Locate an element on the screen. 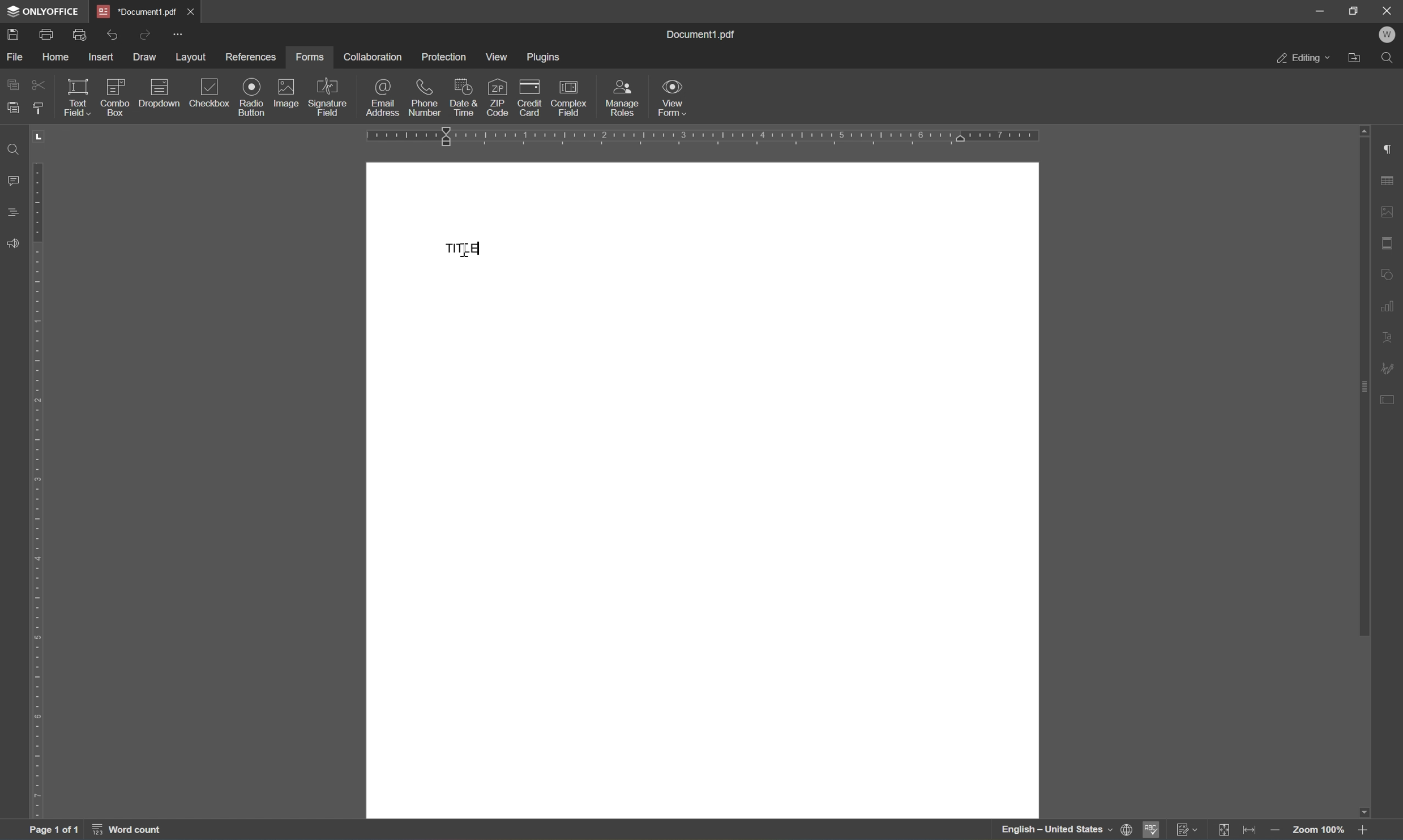 The height and width of the screenshot is (840, 1403). ruler is located at coordinates (36, 488).